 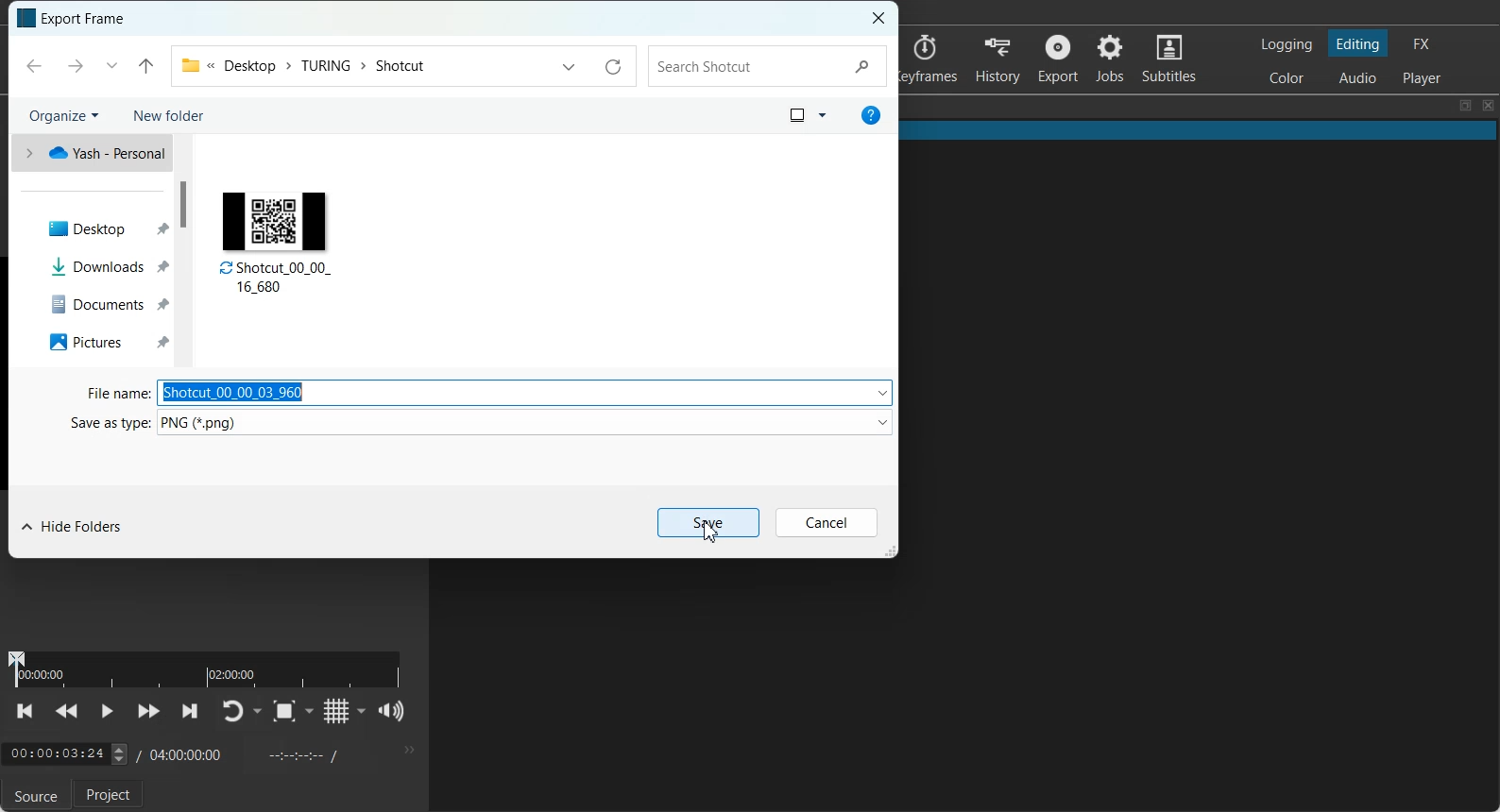 I want to click on Toggle player lopping, so click(x=231, y=711).